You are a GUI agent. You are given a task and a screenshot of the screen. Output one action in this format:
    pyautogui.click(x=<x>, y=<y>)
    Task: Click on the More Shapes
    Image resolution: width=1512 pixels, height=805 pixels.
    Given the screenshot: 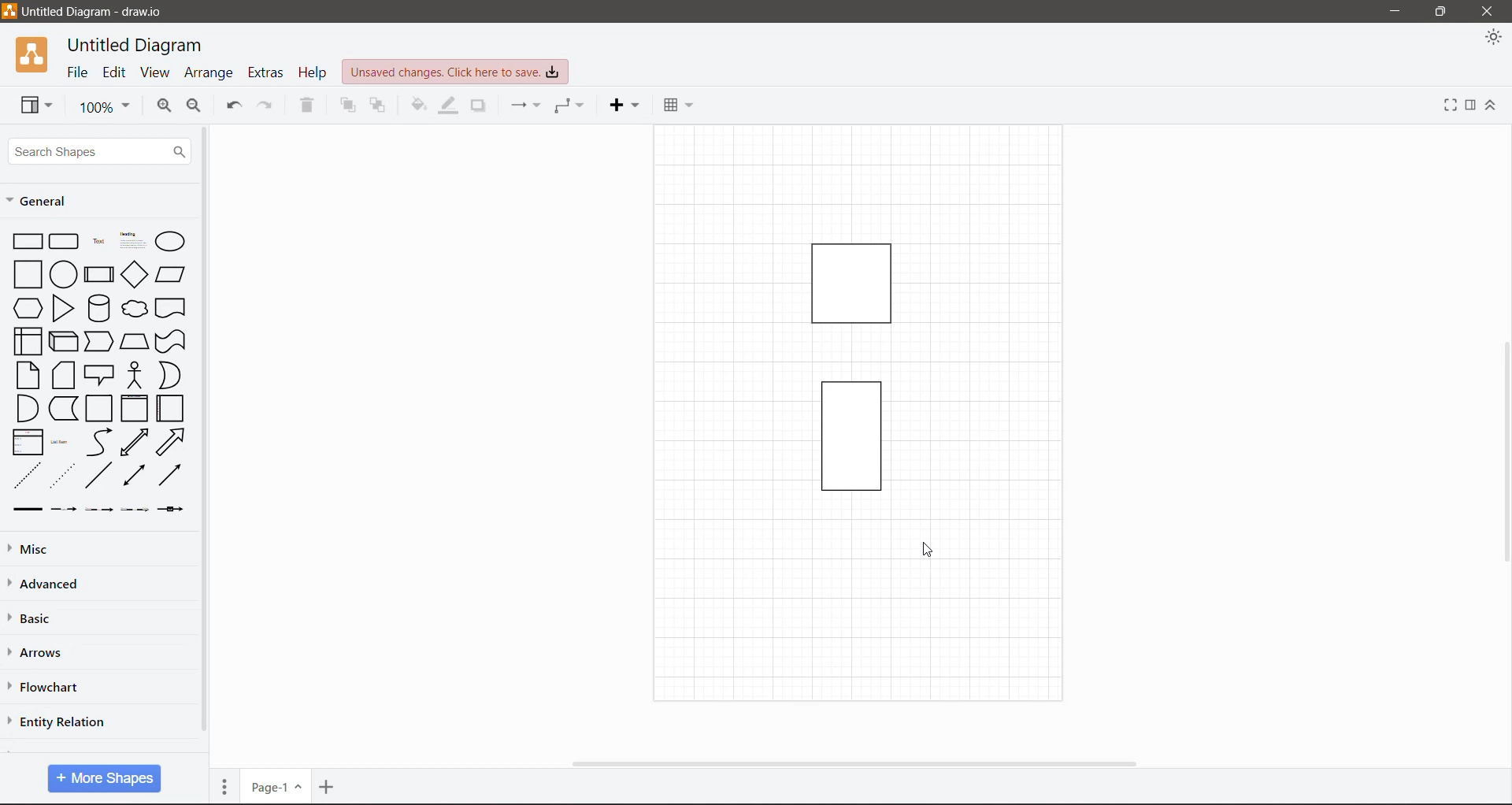 What is the action you would take?
    pyautogui.click(x=104, y=778)
    